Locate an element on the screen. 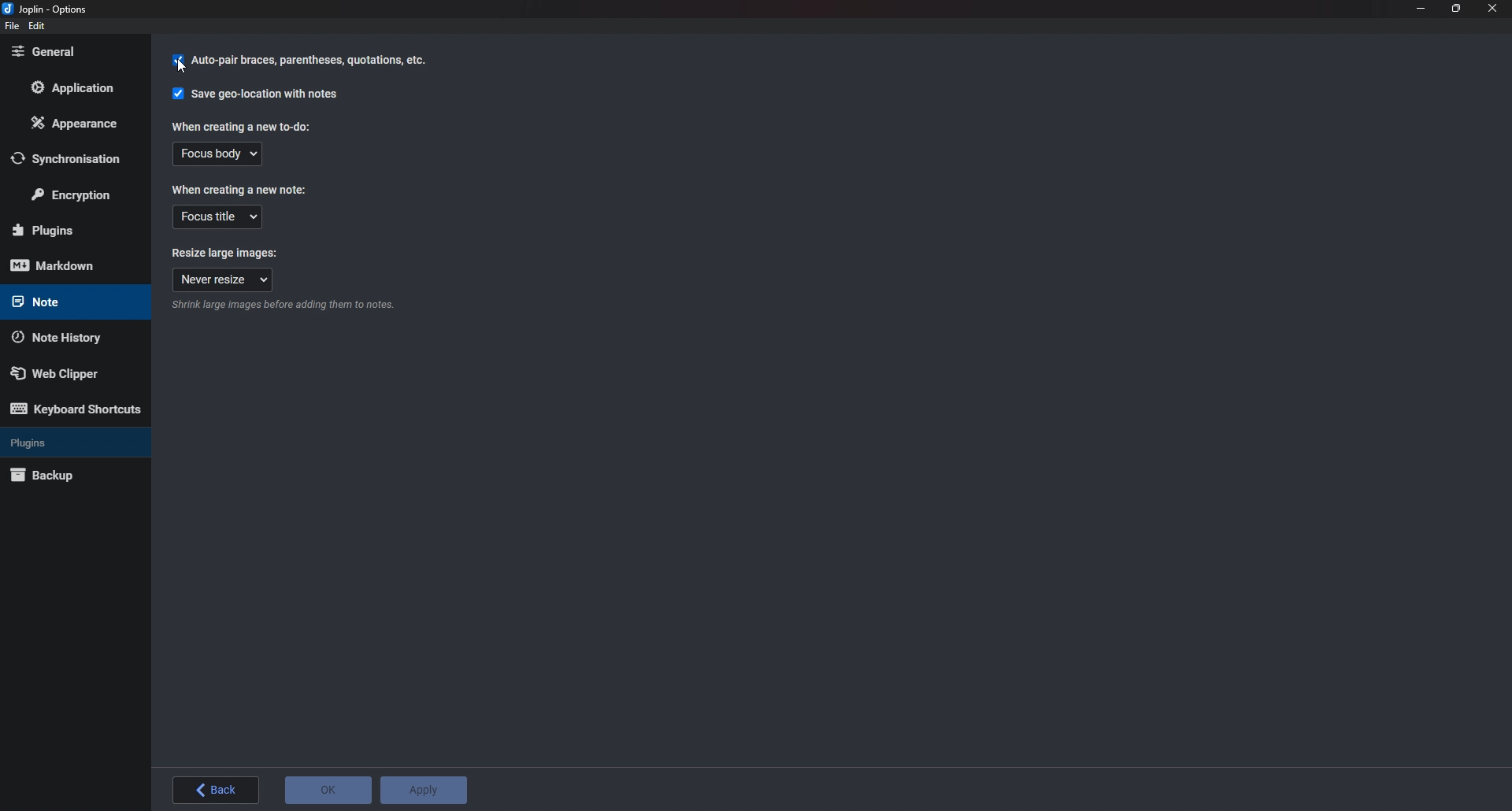 The image size is (1512, 811). Minimize is located at coordinates (1422, 8).